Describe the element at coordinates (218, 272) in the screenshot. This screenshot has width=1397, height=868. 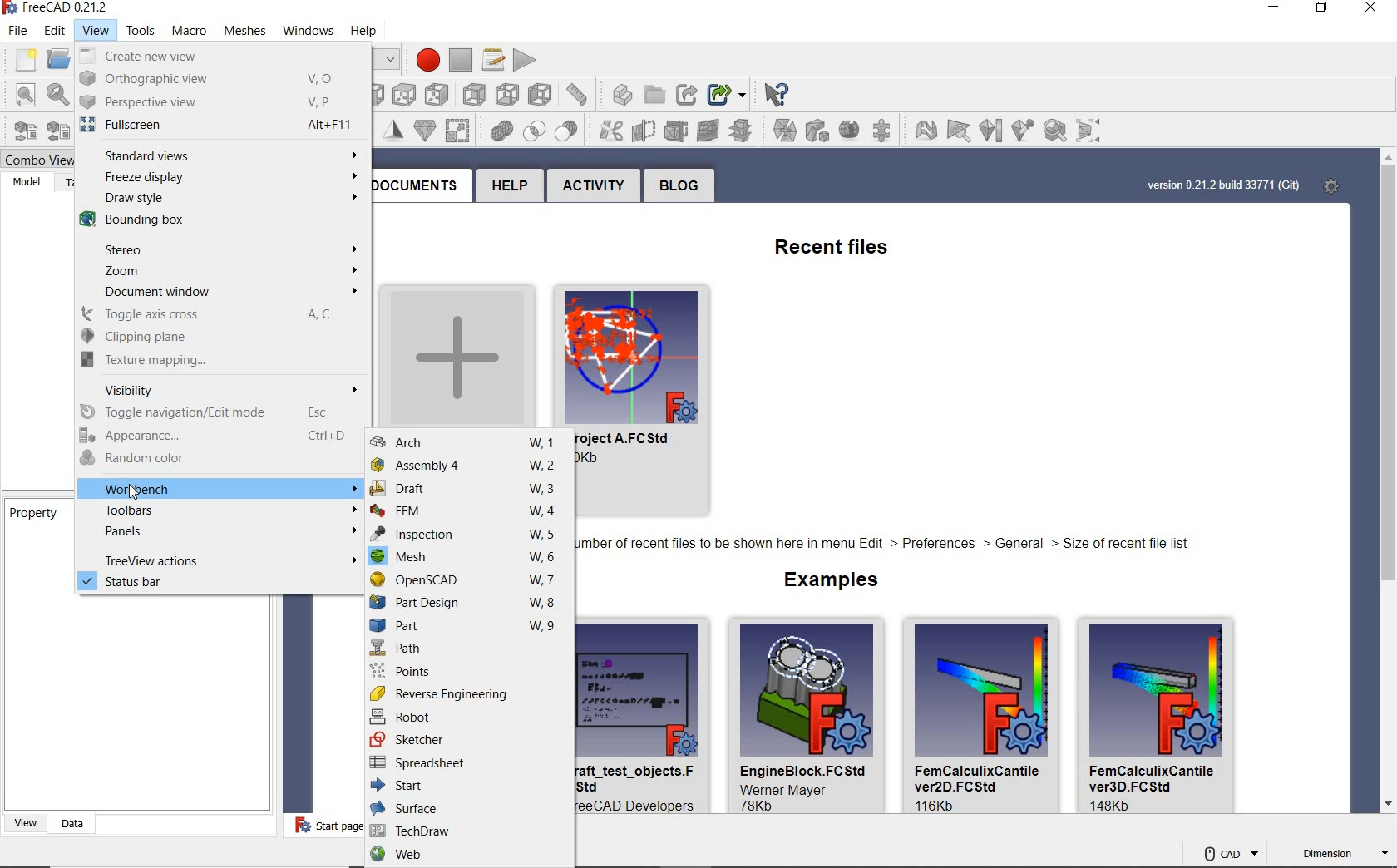
I see `zoom` at that location.